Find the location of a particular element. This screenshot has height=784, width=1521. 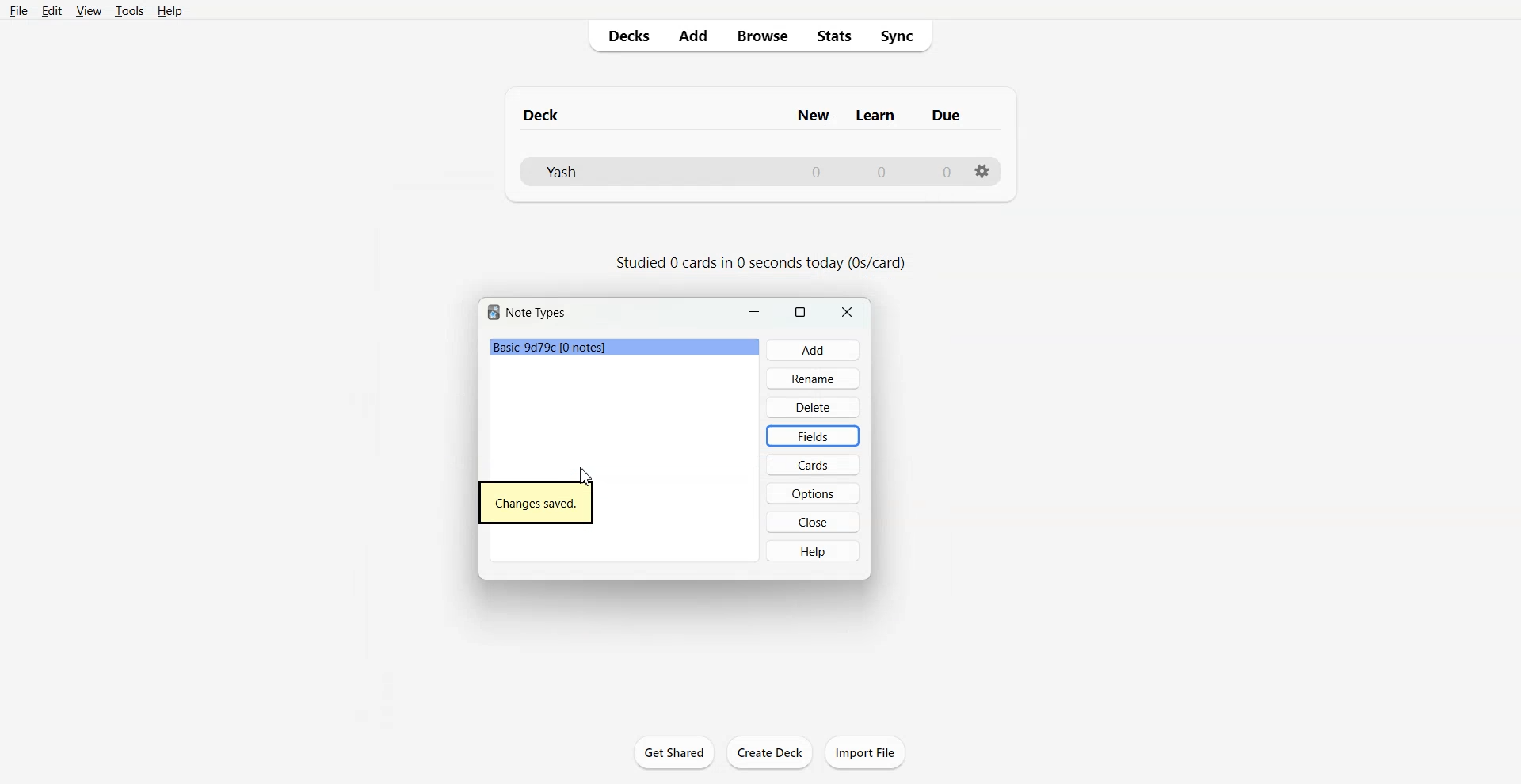

File is located at coordinates (625, 347).